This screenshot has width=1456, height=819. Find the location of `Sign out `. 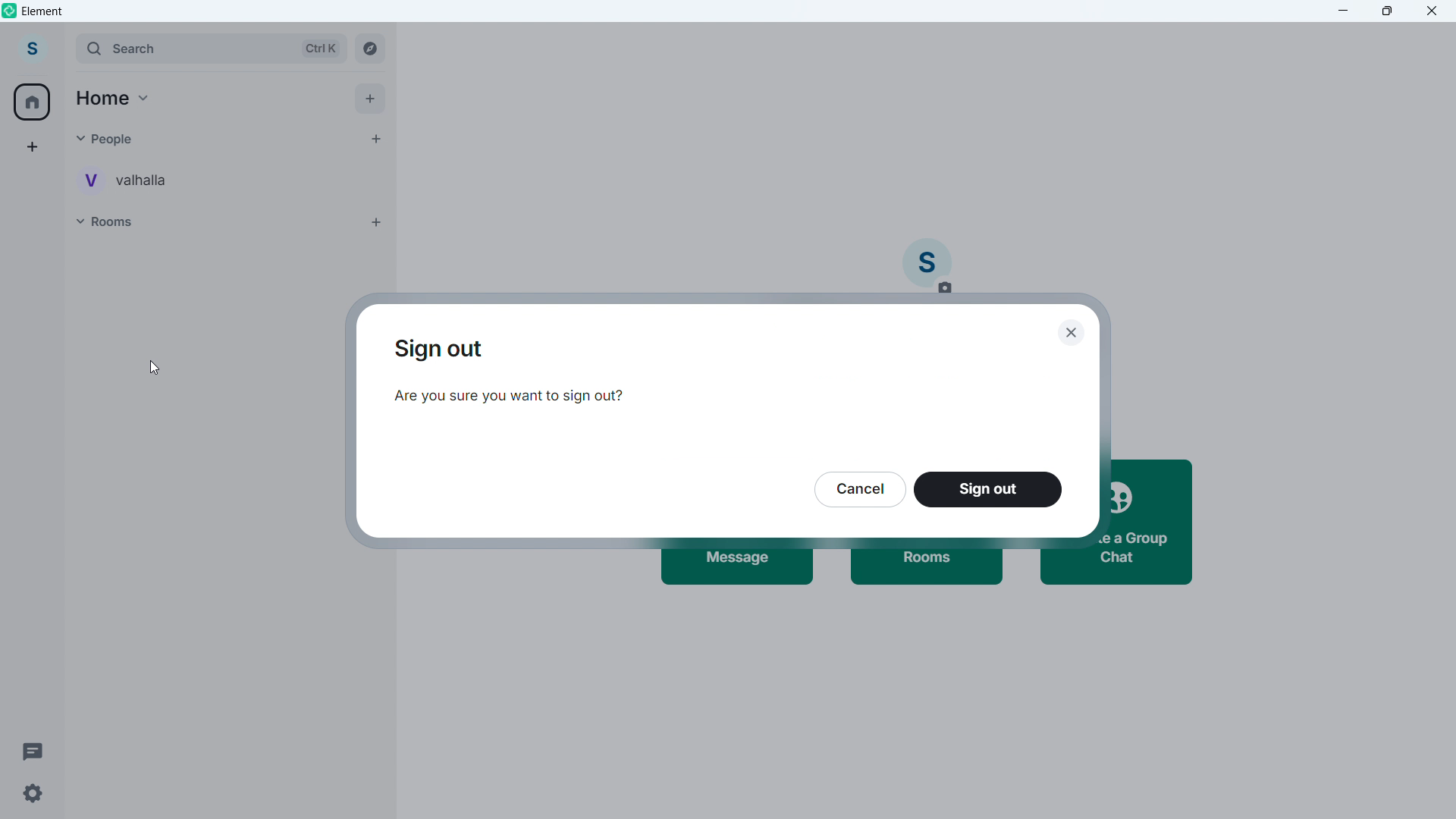

Sign out  is located at coordinates (446, 350).